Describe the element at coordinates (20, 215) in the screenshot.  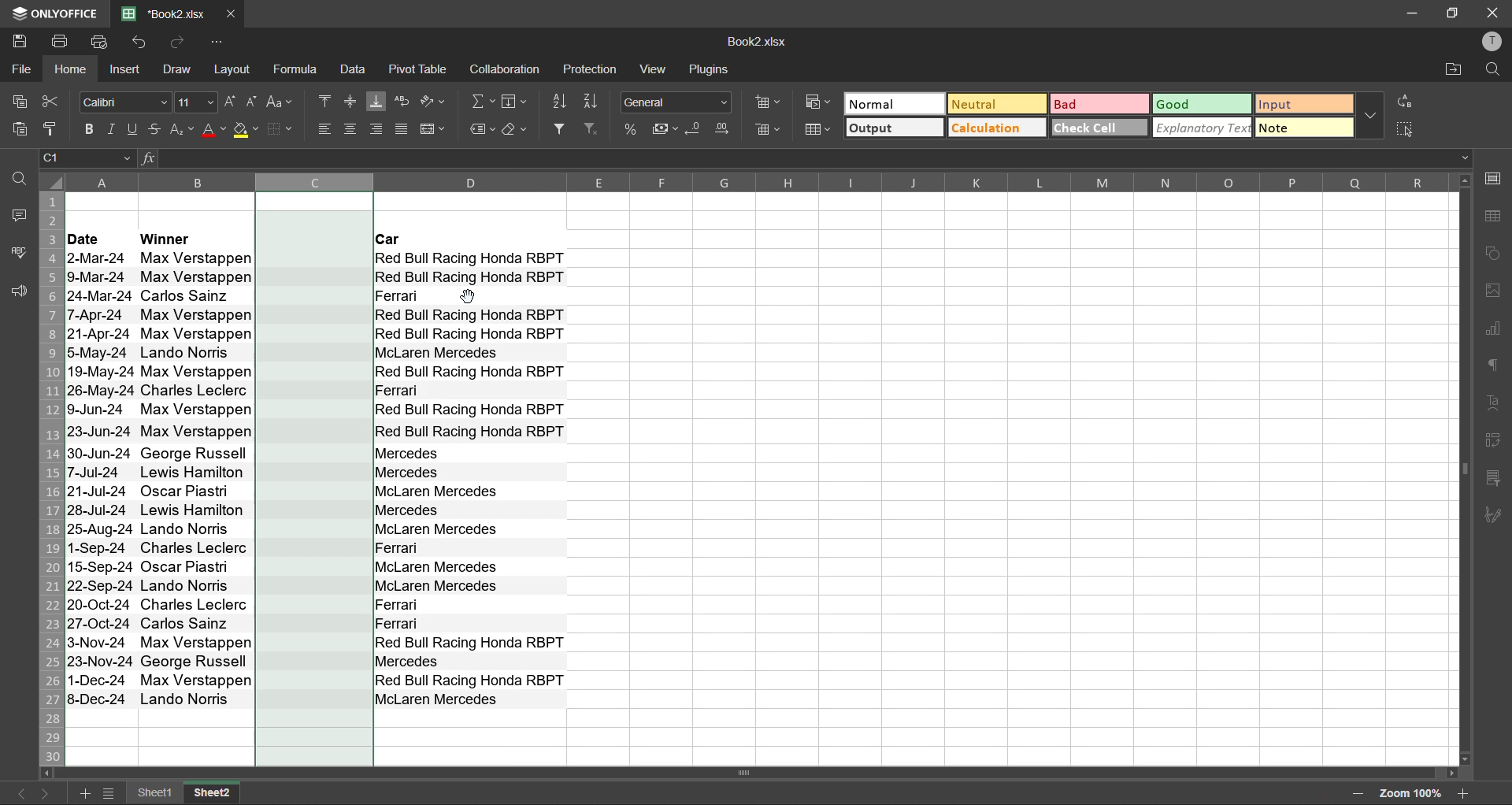
I see `comments` at that location.